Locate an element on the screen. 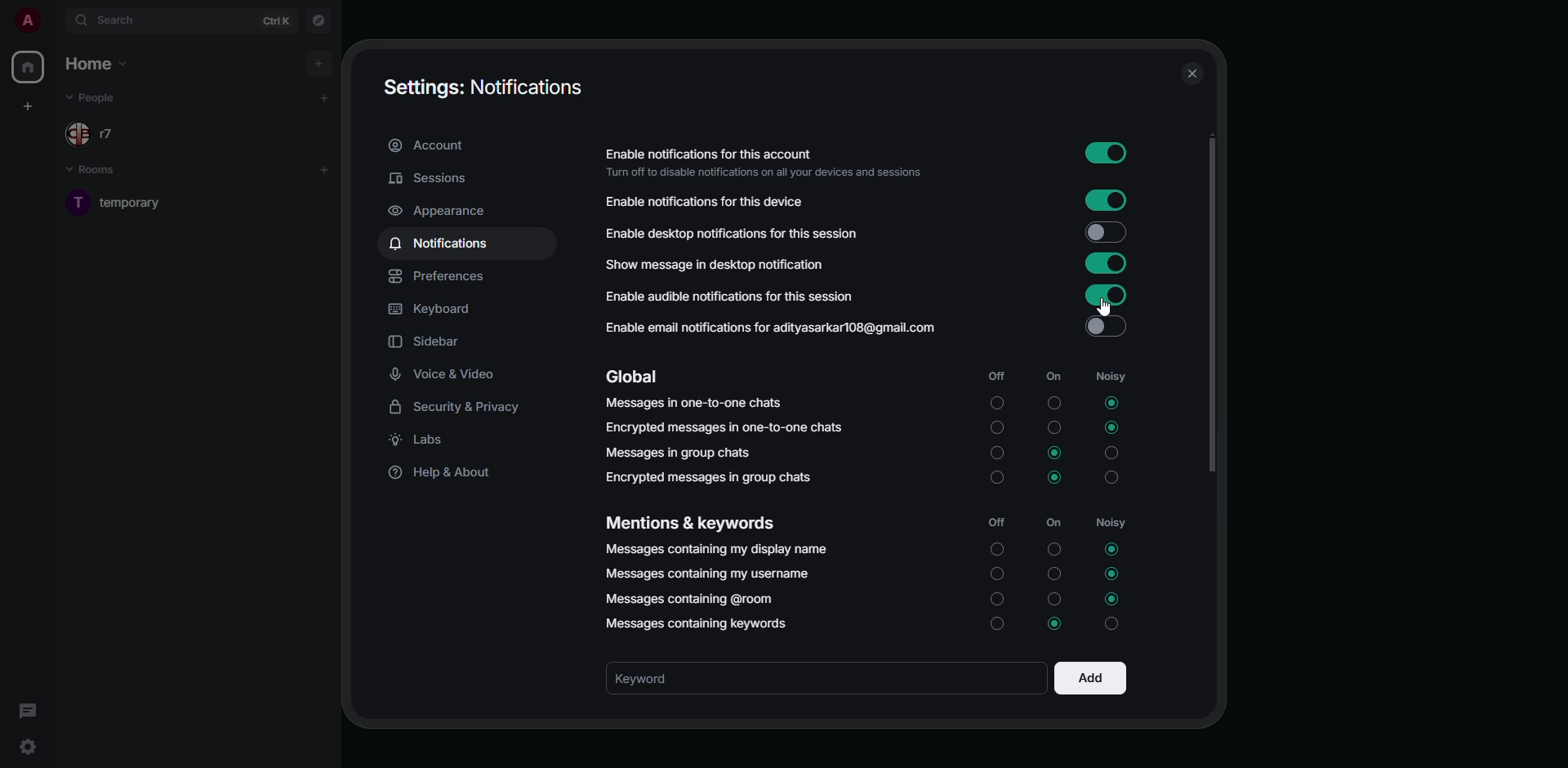  noisy is located at coordinates (1111, 522).